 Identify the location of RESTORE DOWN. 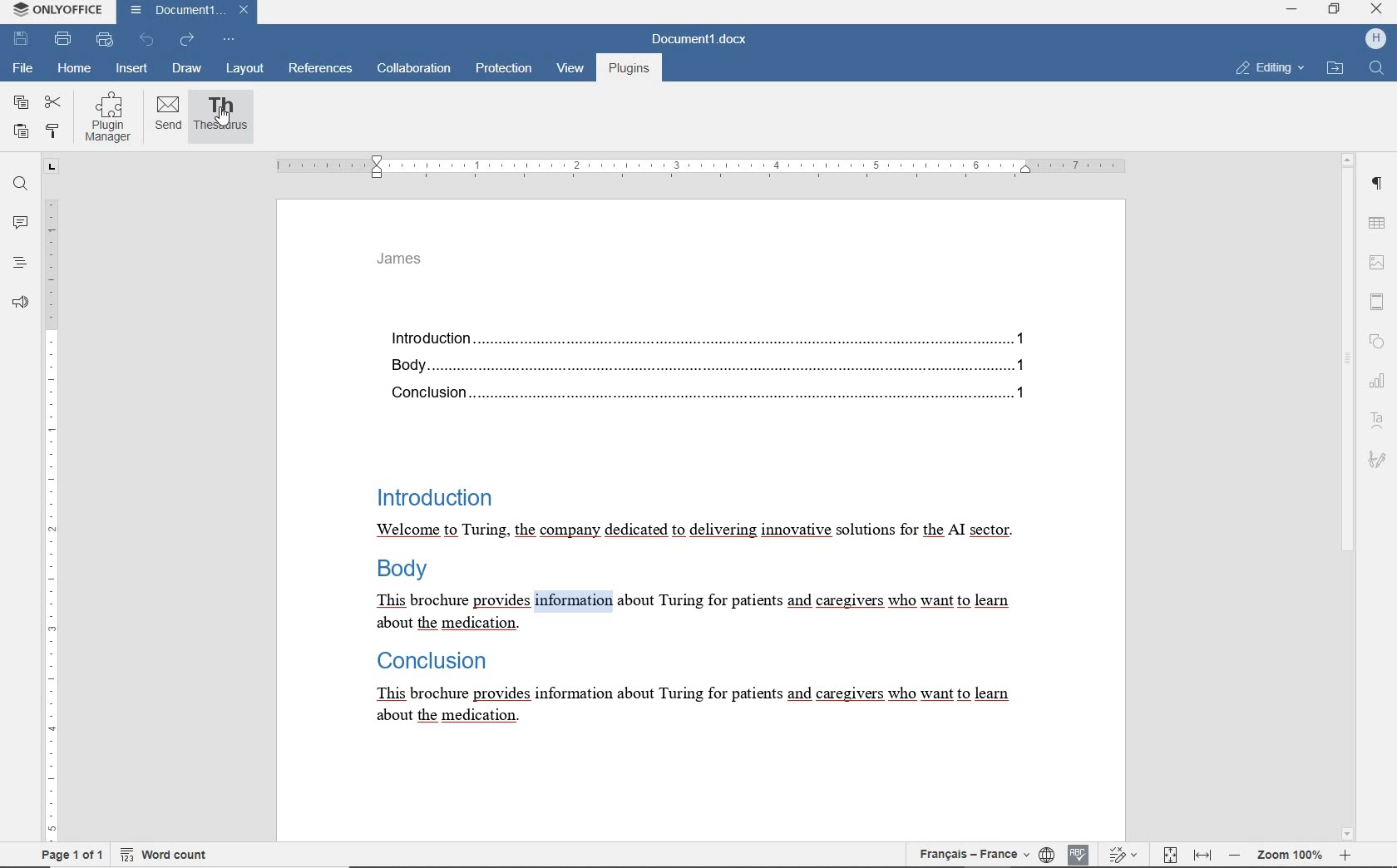
(1335, 9).